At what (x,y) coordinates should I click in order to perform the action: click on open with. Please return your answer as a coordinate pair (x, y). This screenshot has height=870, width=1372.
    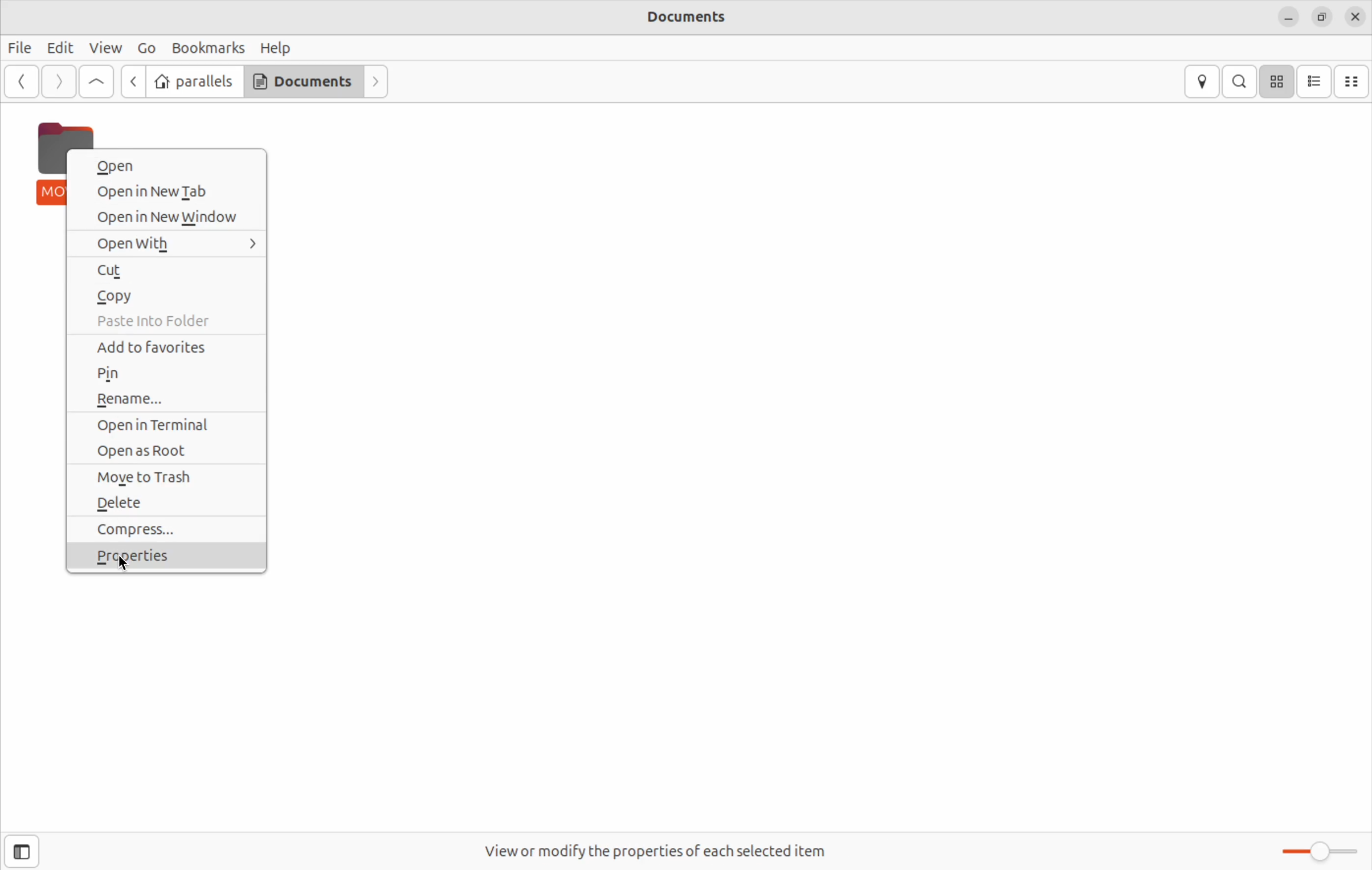
    Looking at the image, I should click on (169, 243).